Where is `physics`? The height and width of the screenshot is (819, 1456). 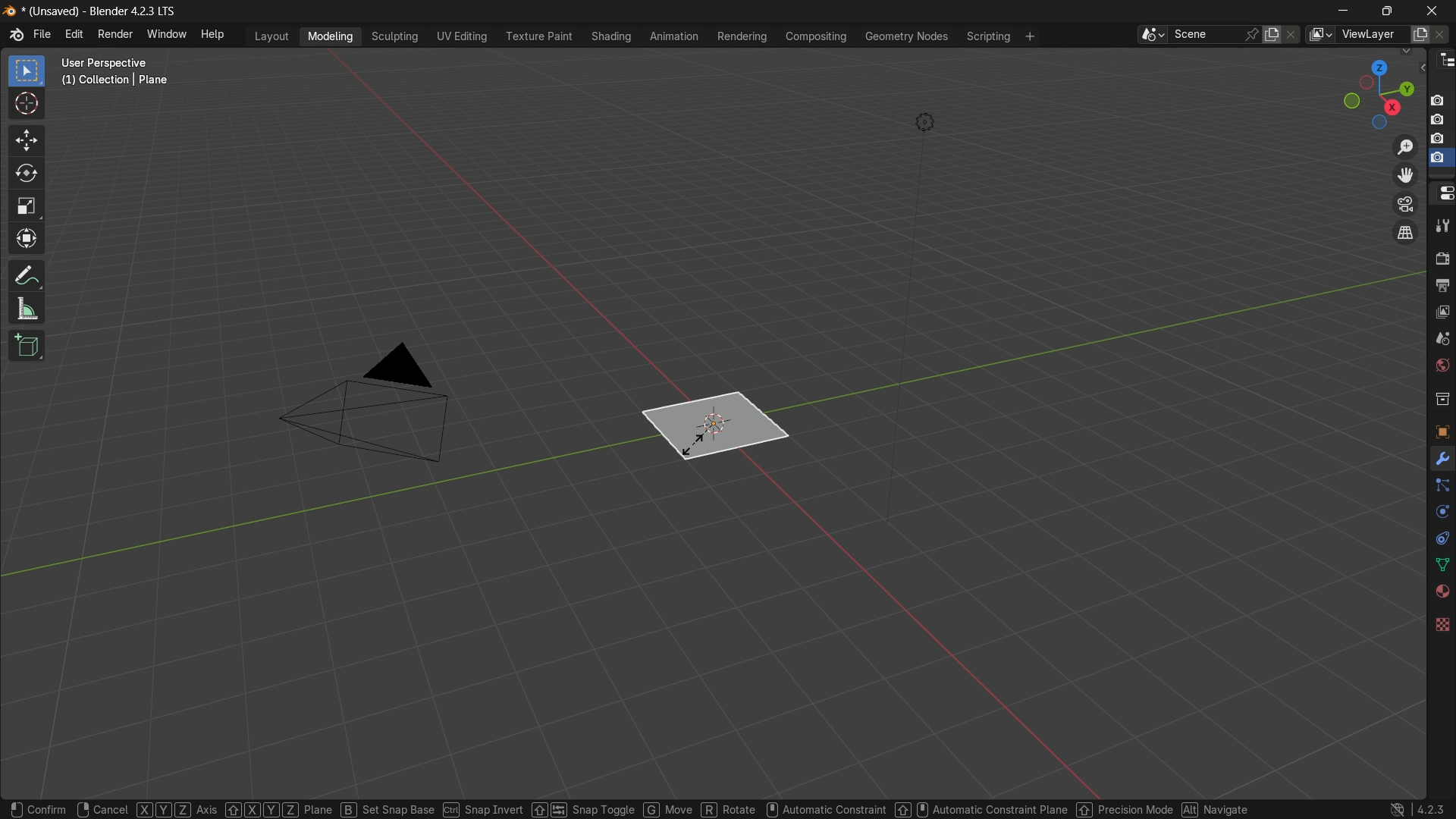 physics is located at coordinates (1441, 513).